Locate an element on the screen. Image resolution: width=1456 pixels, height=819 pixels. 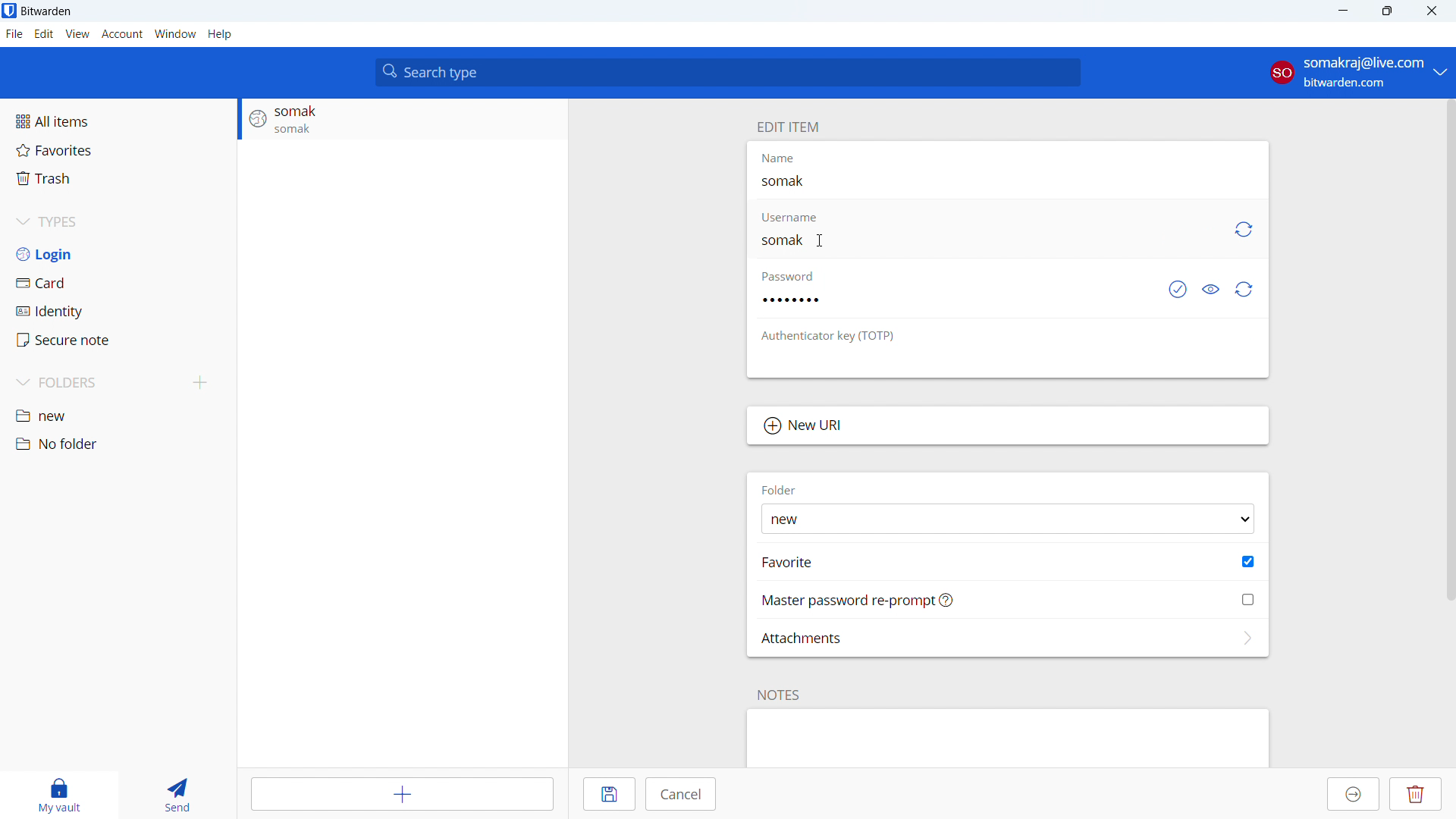
FOLDER is located at coordinates (779, 488).